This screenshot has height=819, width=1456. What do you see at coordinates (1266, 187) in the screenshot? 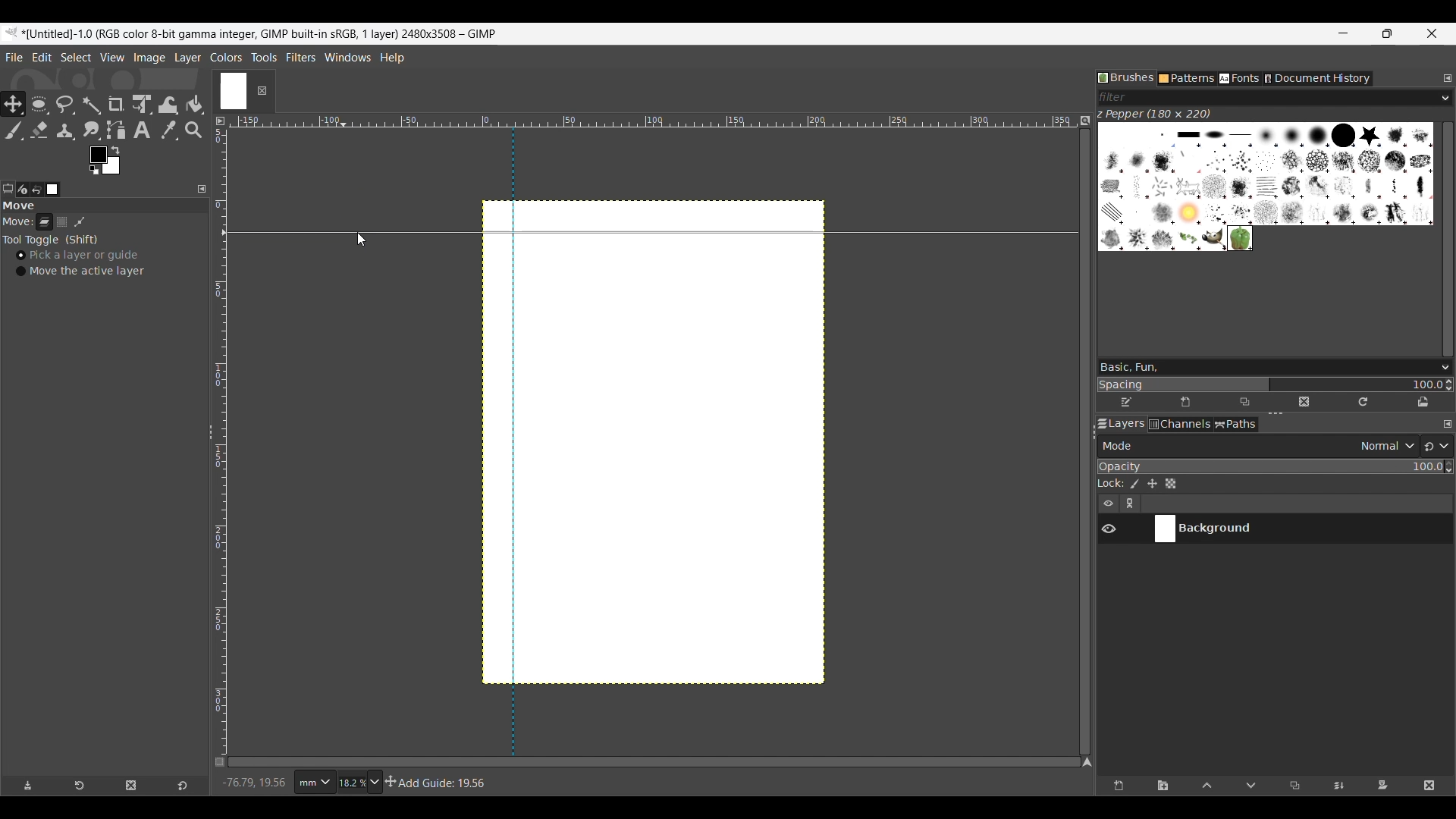
I see `Current brush options` at bounding box center [1266, 187].